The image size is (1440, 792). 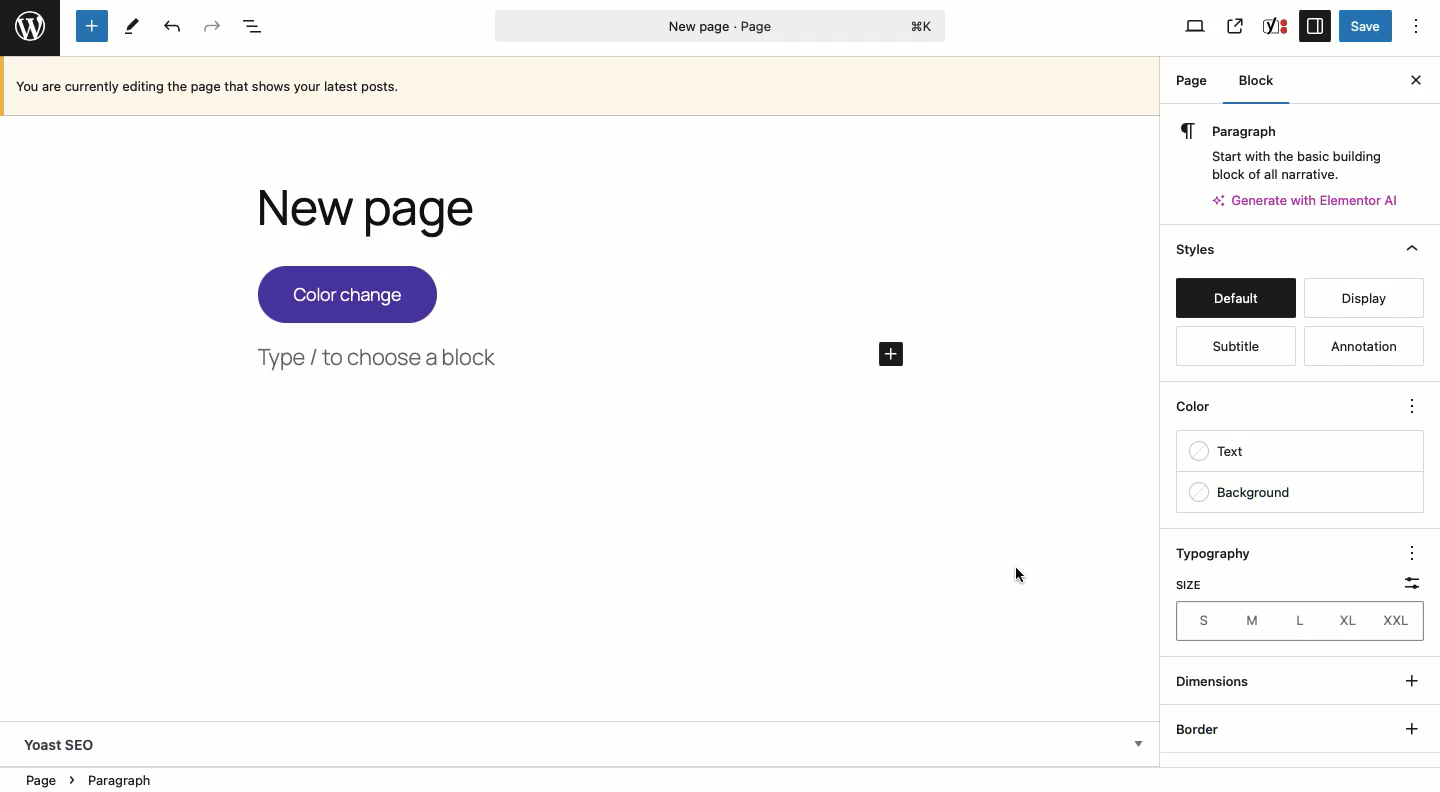 What do you see at coordinates (1235, 27) in the screenshot?
I see `View page` at bounding box center [1235, 27].